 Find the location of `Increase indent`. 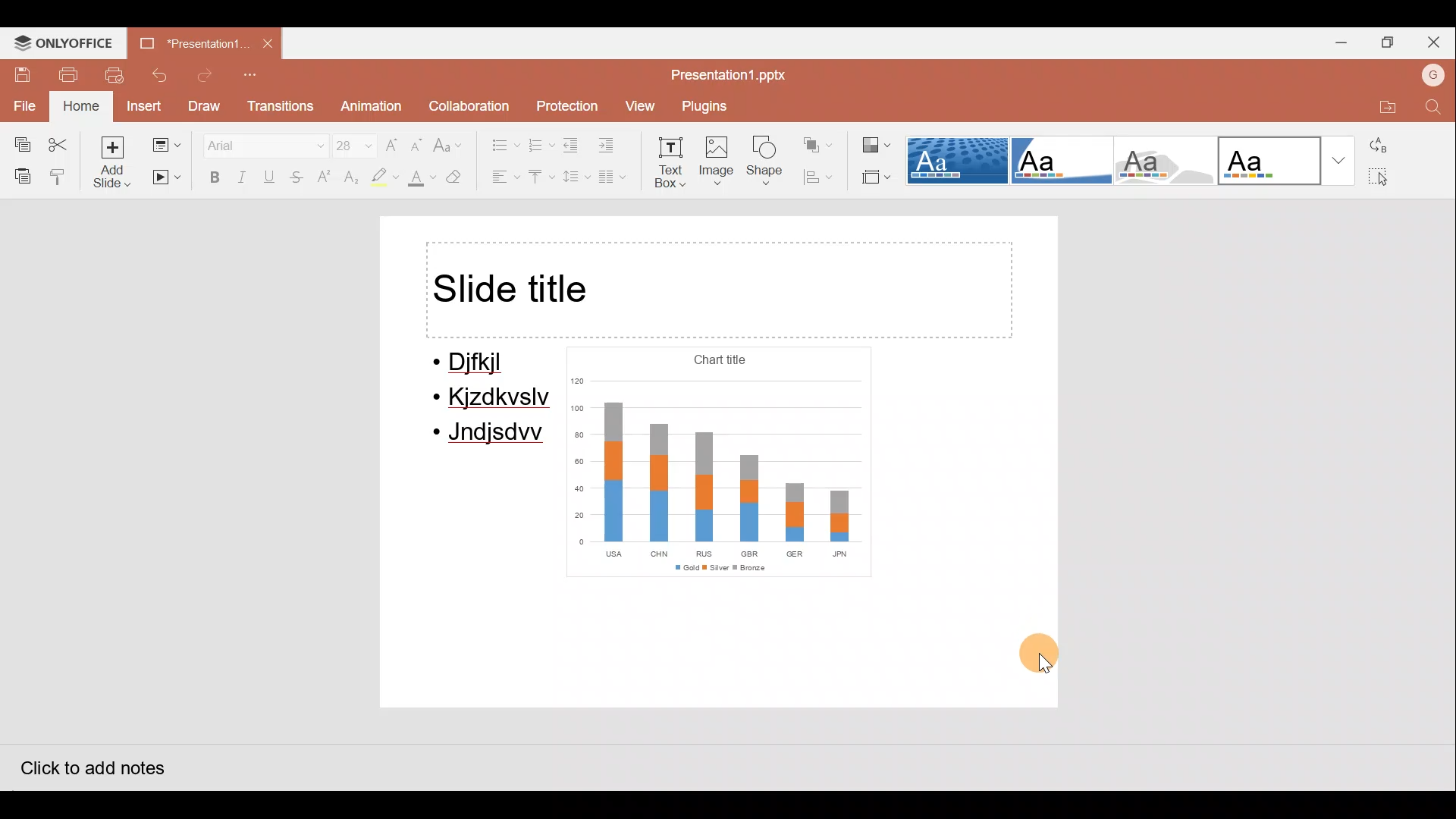

Increase indent is located at coordinates (613, 143).